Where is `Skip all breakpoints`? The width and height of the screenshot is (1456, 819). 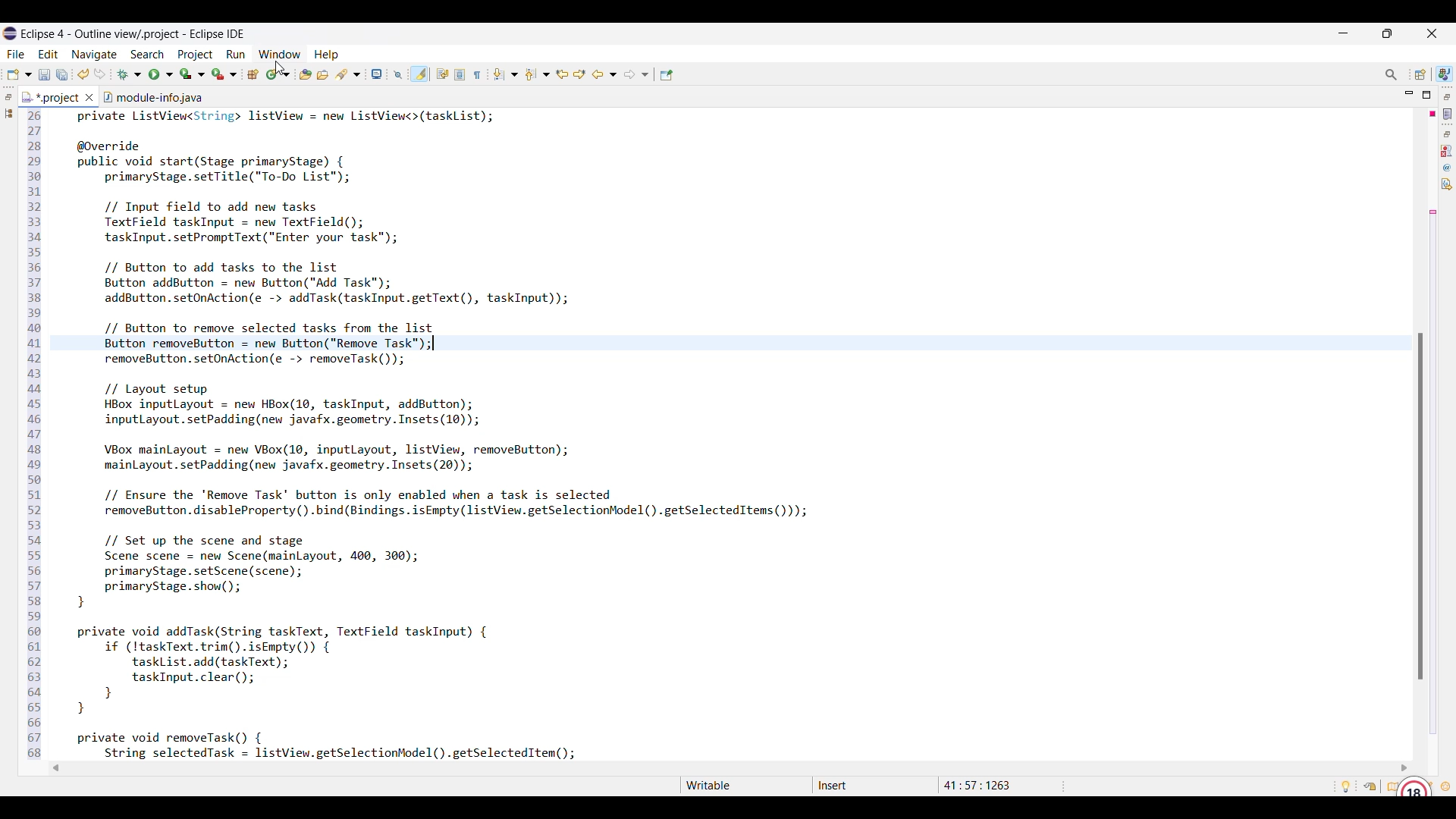
Skip all breakpoints is located at coordinates (398, 75).